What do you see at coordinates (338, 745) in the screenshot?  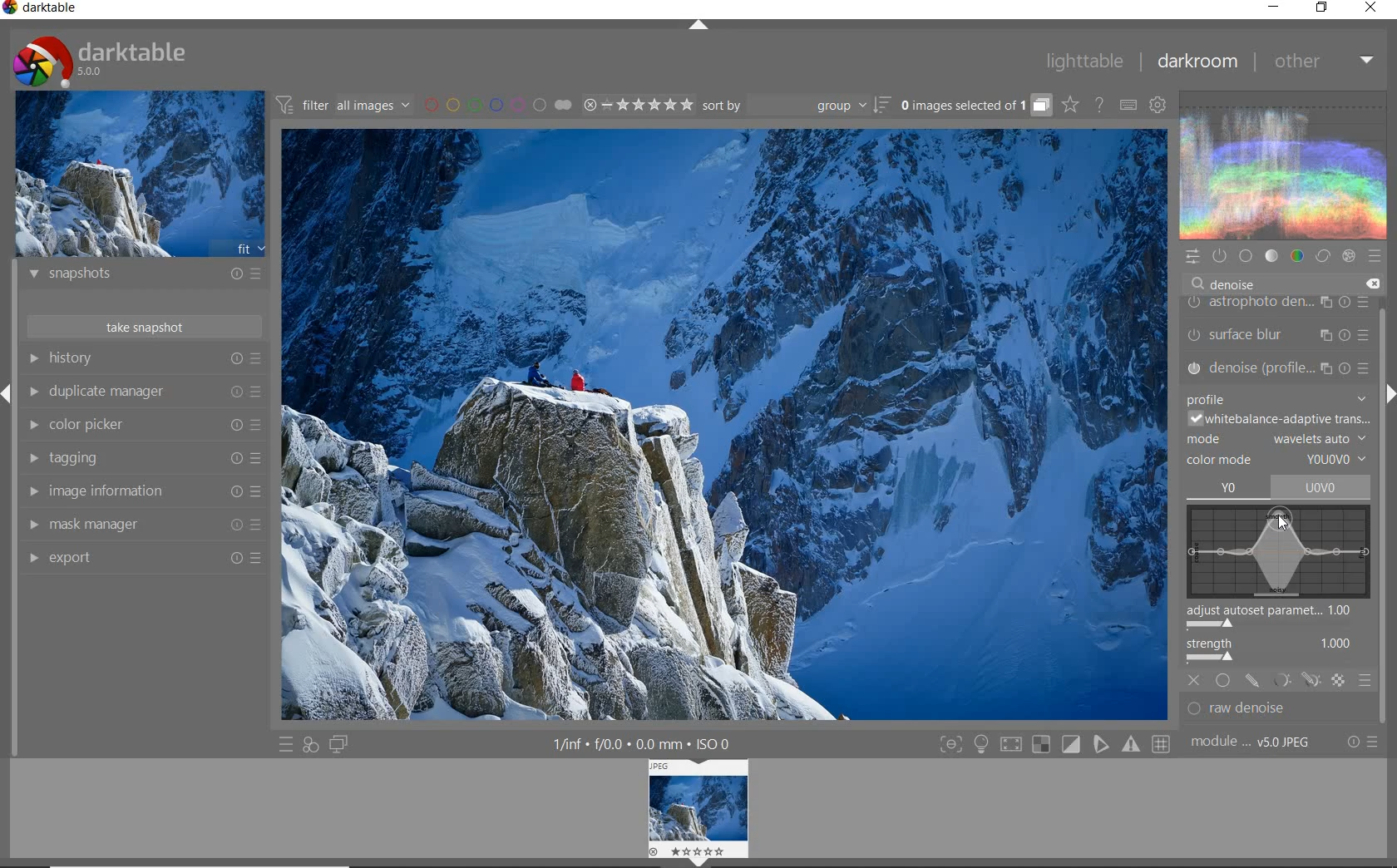 I see `display a second darkroom image window` at bounding box center [338, 745].